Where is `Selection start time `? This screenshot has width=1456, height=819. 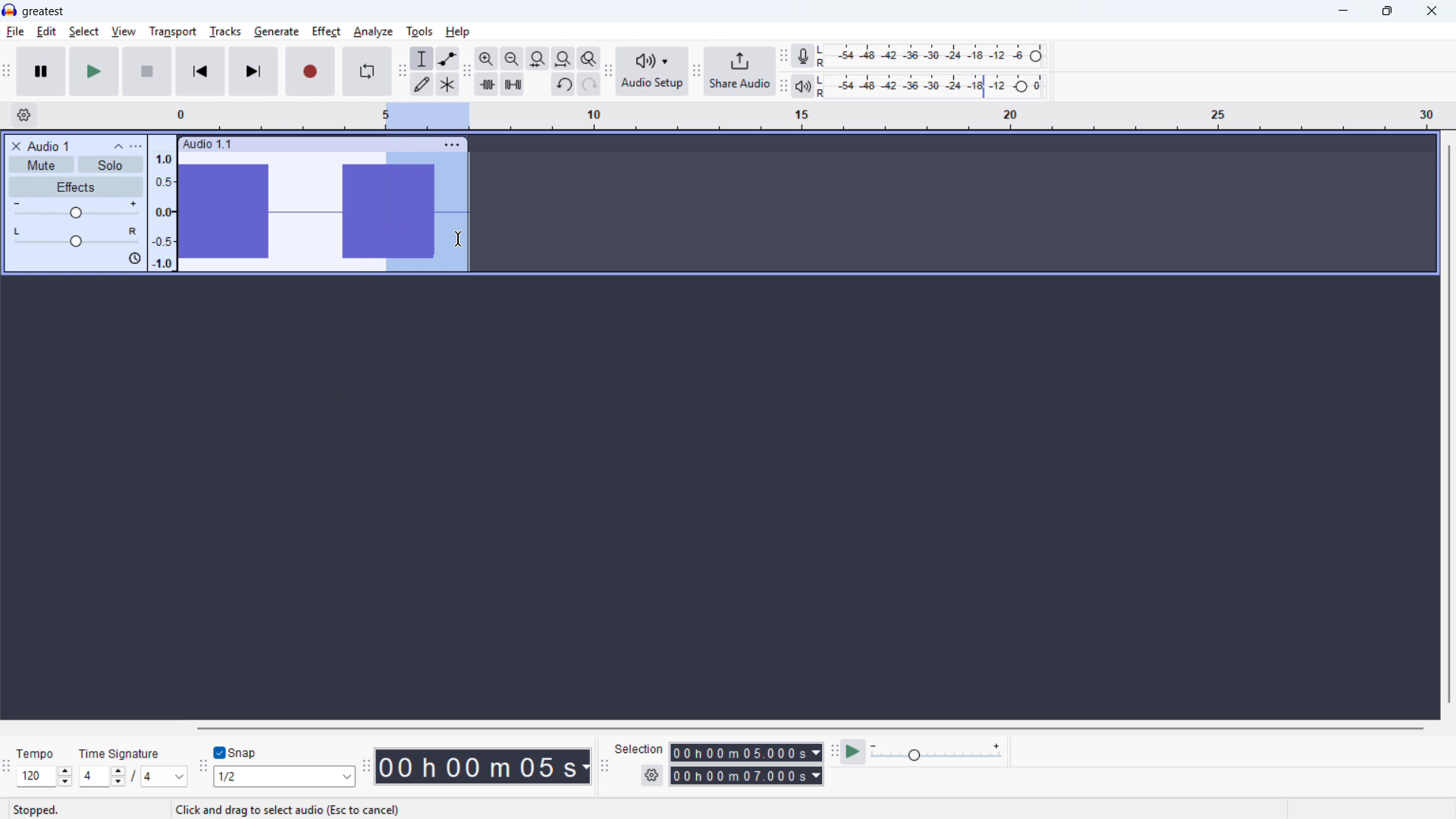
Selection start time  is located at coordinates (747, 752).